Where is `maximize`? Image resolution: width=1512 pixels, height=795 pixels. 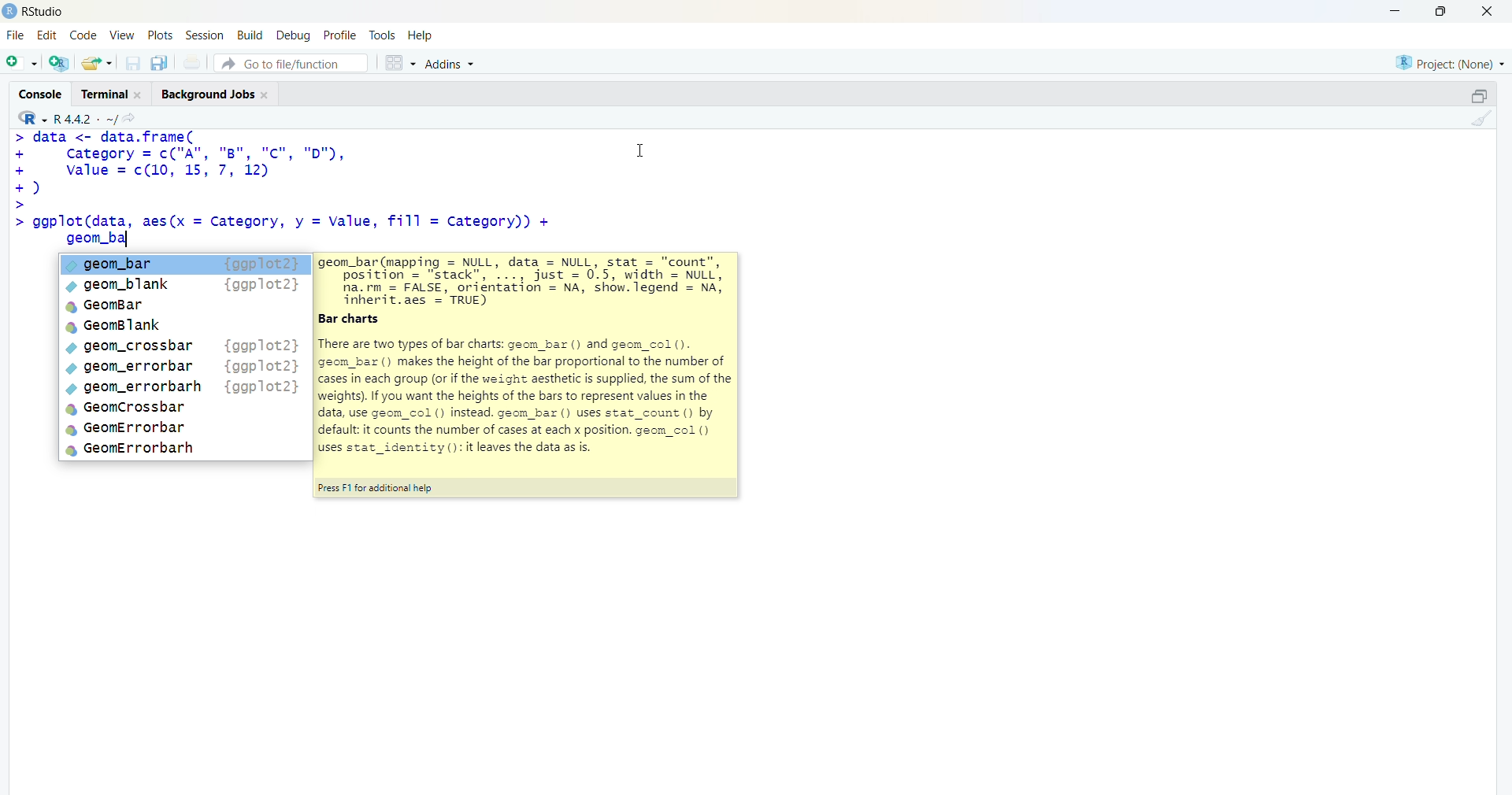 maximize is located at coordinates (1479, 96).